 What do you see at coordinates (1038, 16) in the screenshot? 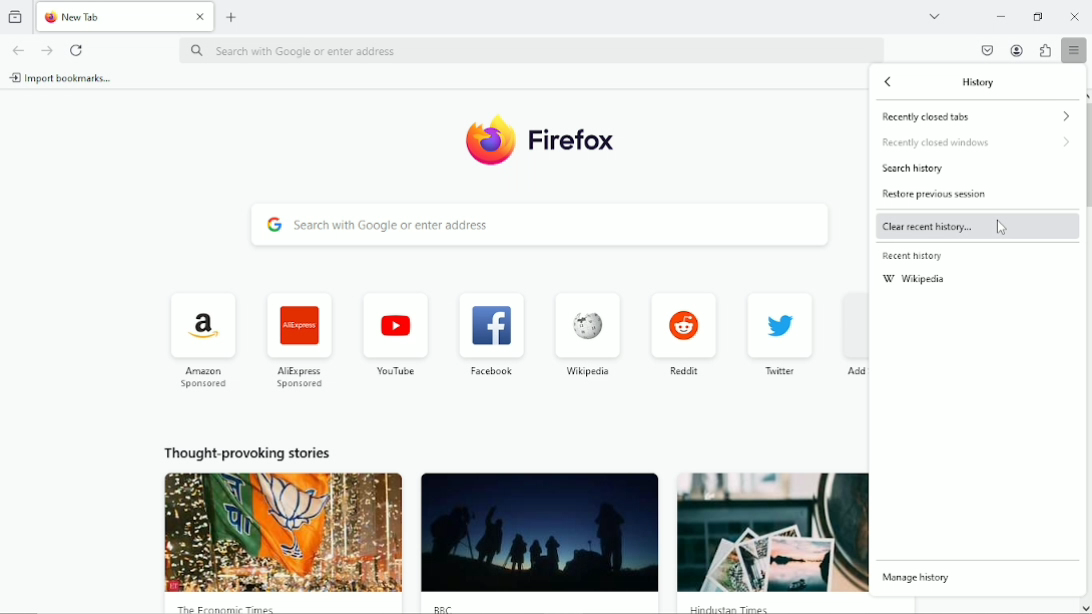
I see `restore down` at bounding box center [1038, 16].